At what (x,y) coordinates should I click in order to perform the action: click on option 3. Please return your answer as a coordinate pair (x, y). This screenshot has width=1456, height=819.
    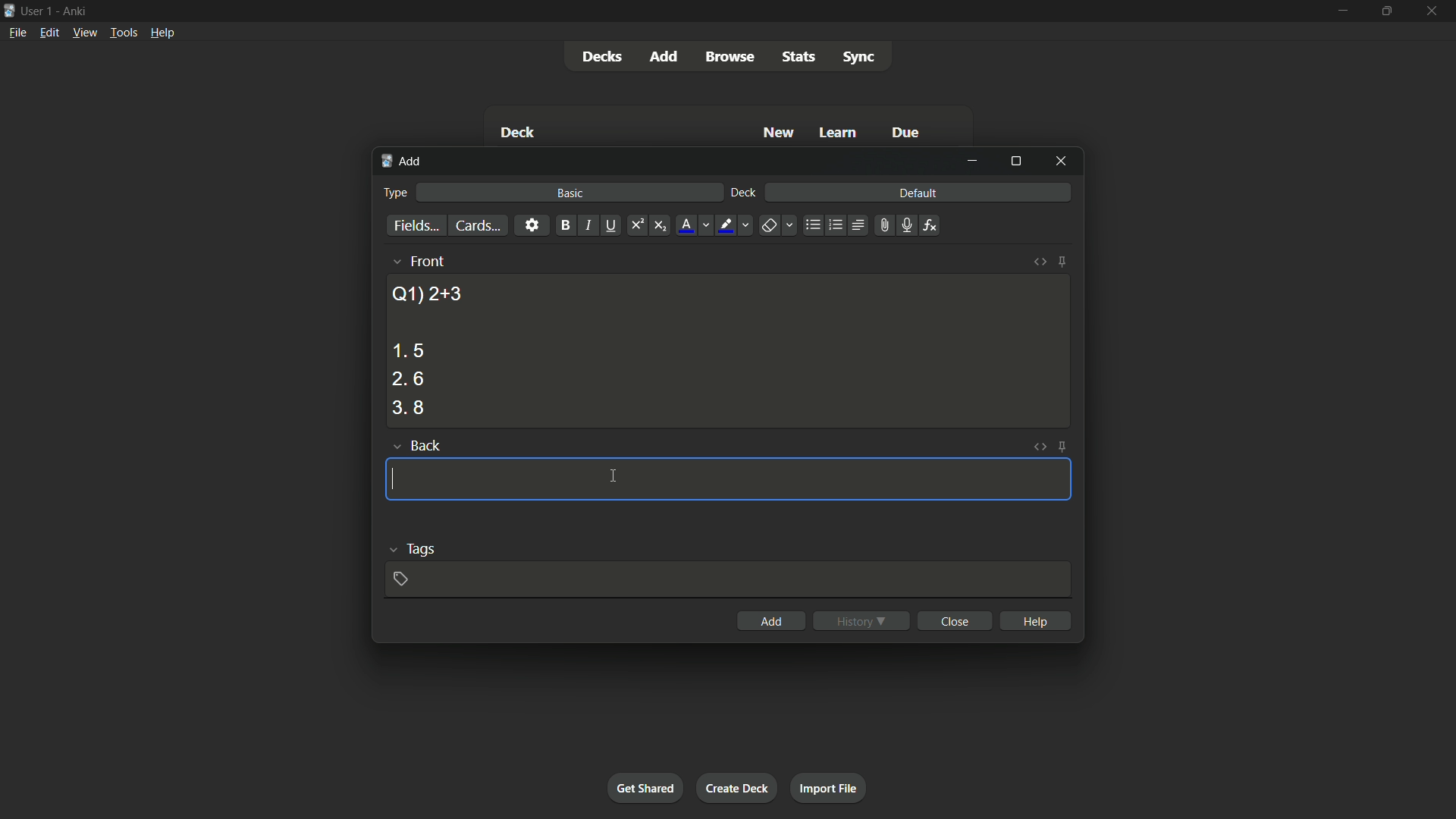
    Looking at the image, I should click on (409, 408).